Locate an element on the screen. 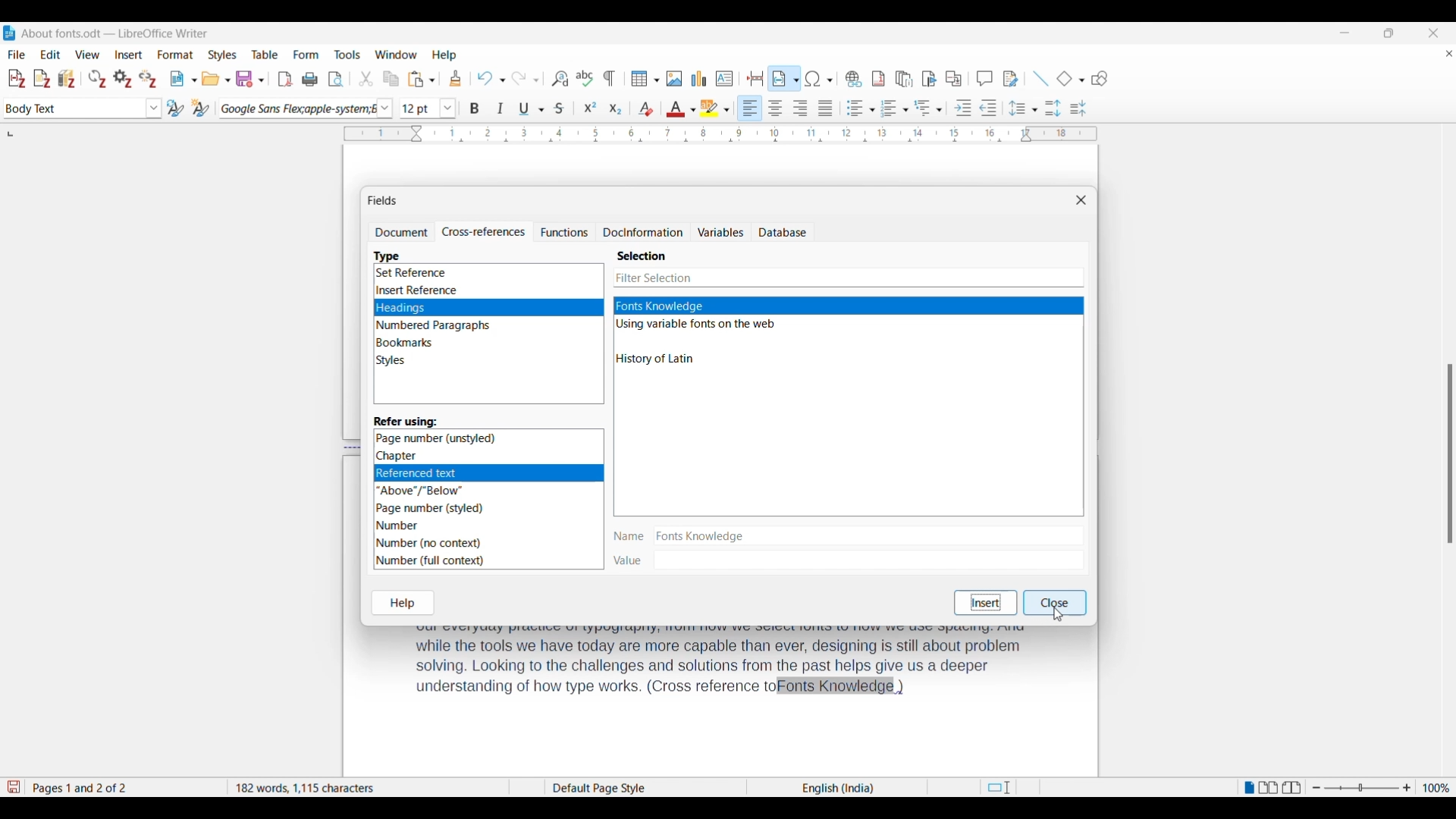 This screenshot has height=819, width=1456. Table menu is located at coordinates (265, 55).